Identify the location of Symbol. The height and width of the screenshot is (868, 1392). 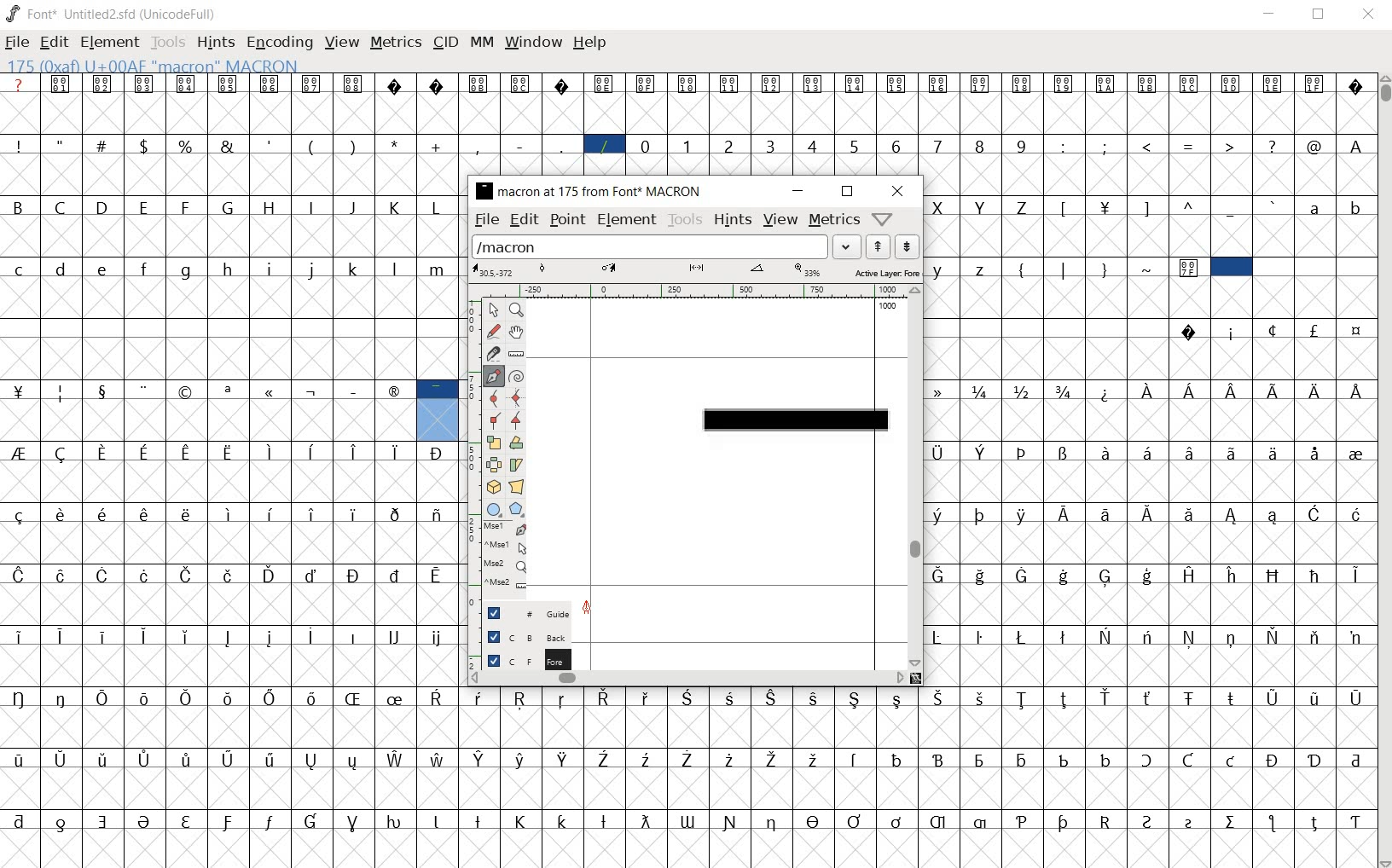
(59, 759).